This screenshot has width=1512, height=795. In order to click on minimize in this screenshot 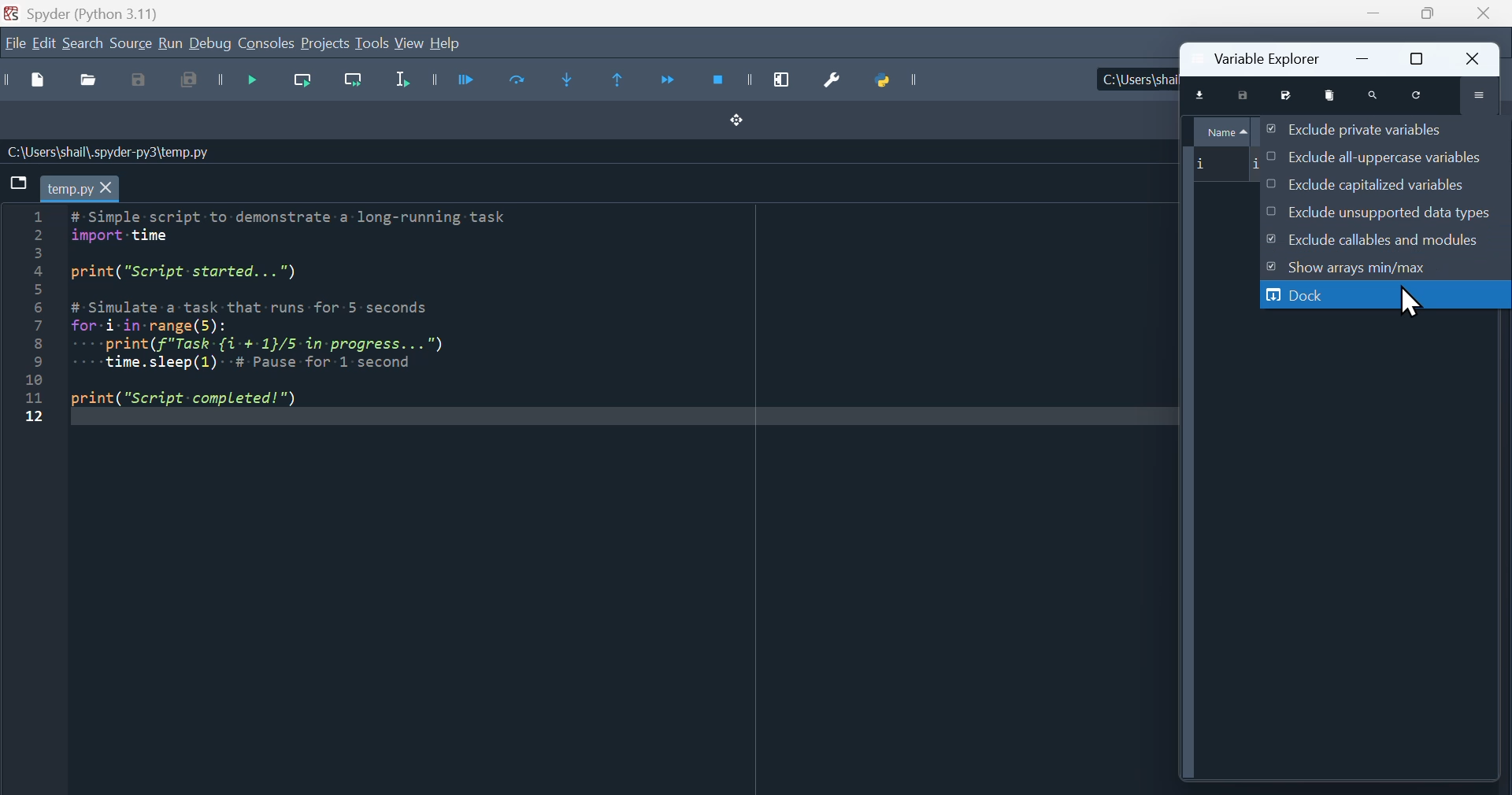, I will do `click(1366, 57)`.